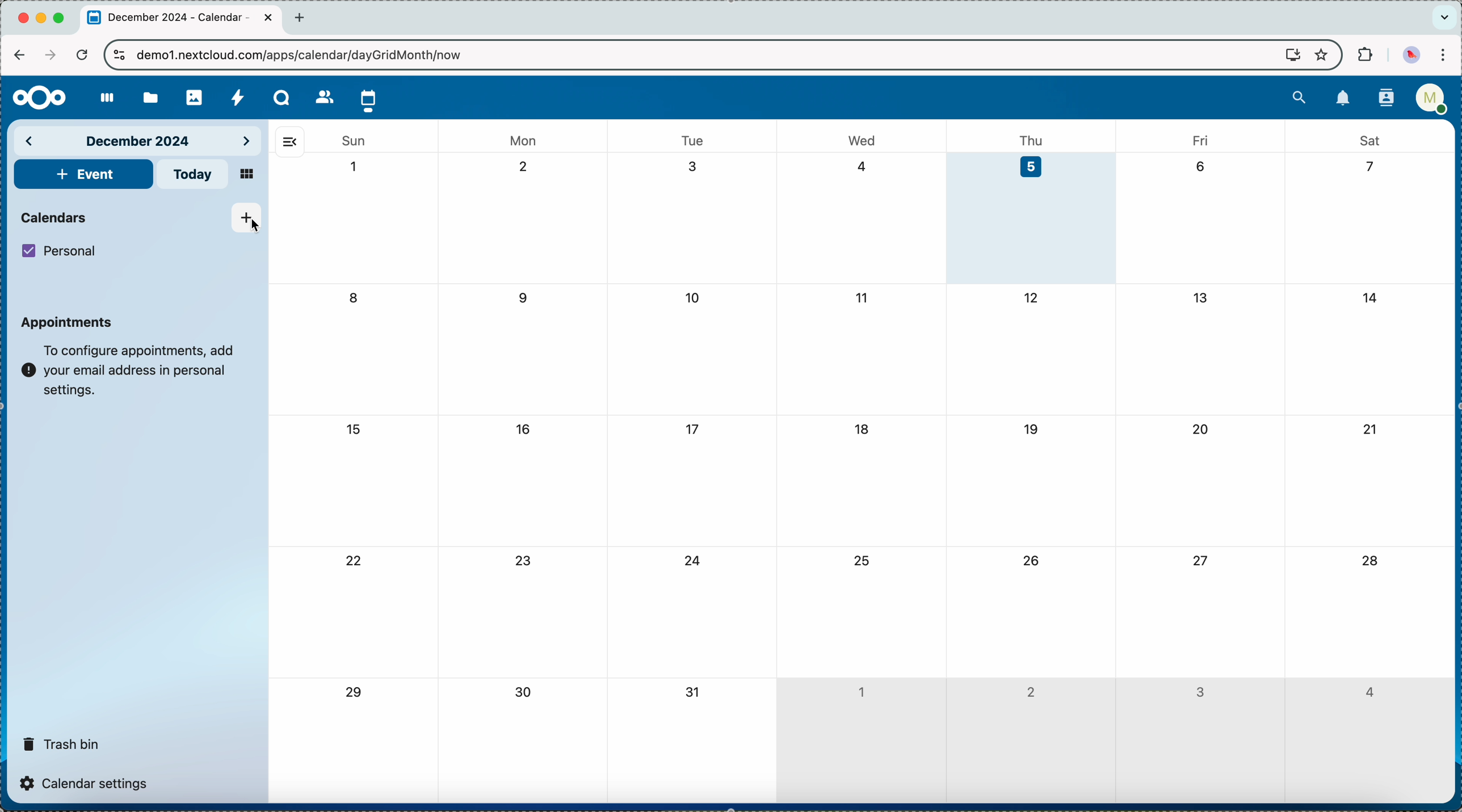 The height and width of the screenshot is (812, 1462). Describe the element at coordinates (694, 693) in the screenshot. I see `31` at that location.